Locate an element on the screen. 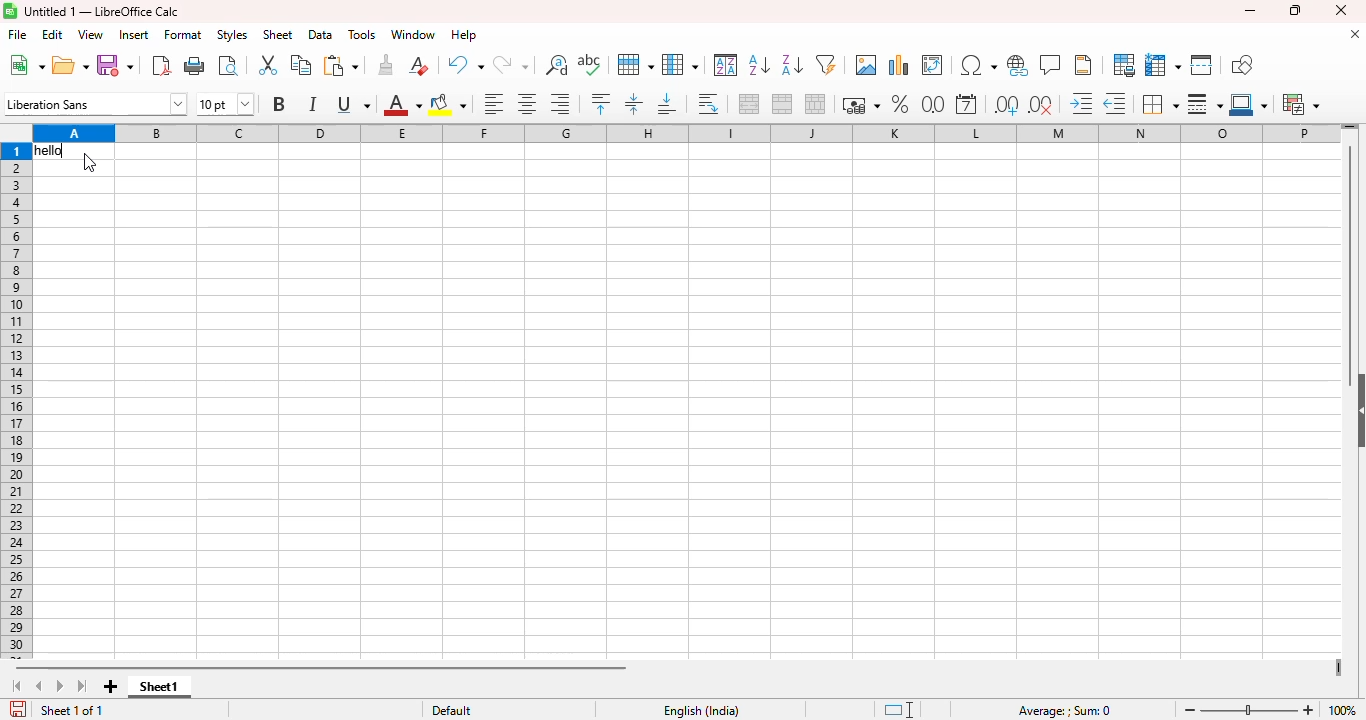  vertical scroll bar is located at coordinates (1351, 262).